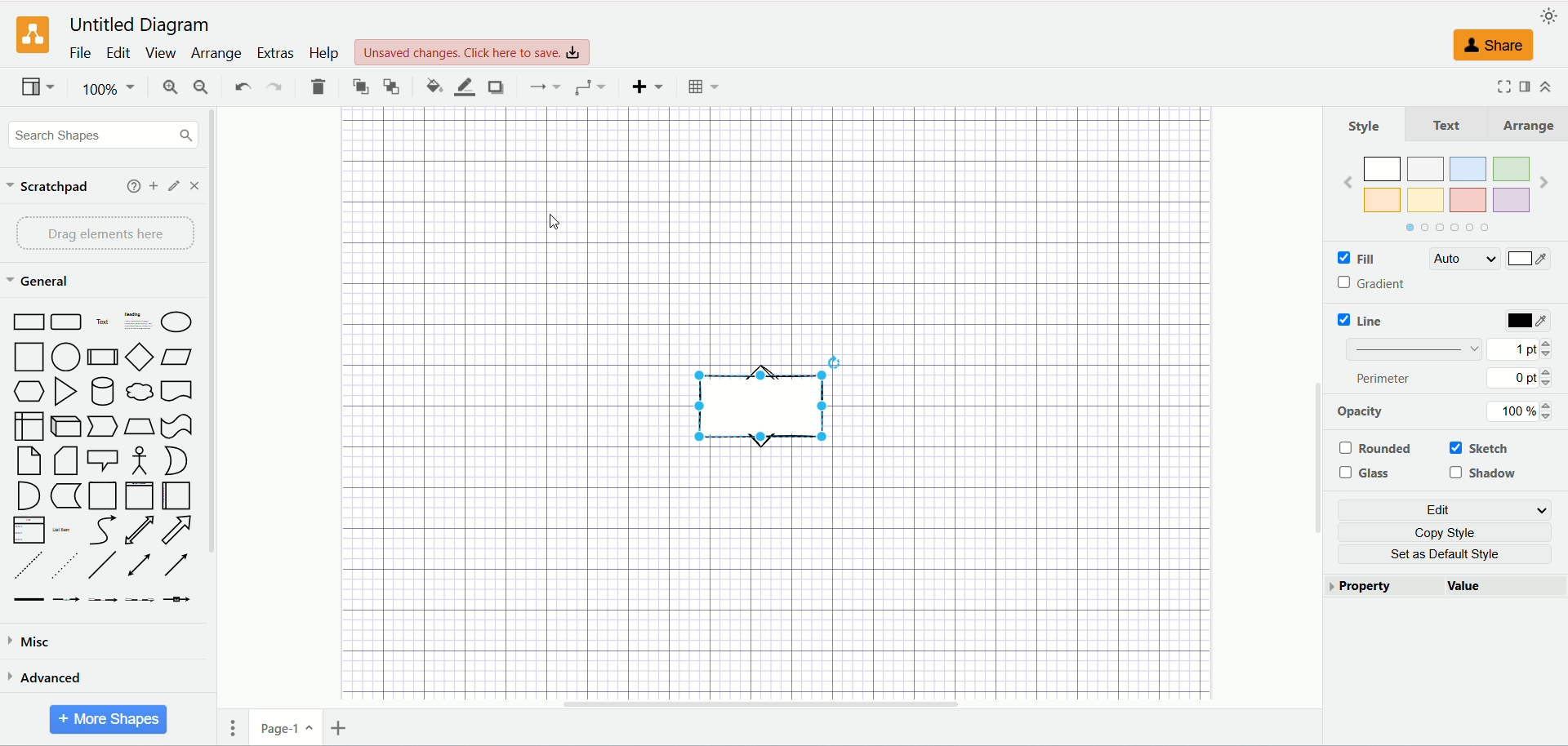 The width and height of the screenshot is (1568, 746). What do you see at coordinates (104, 323) in the screenshot?
I see `Text` at bounding box center [104, 323].